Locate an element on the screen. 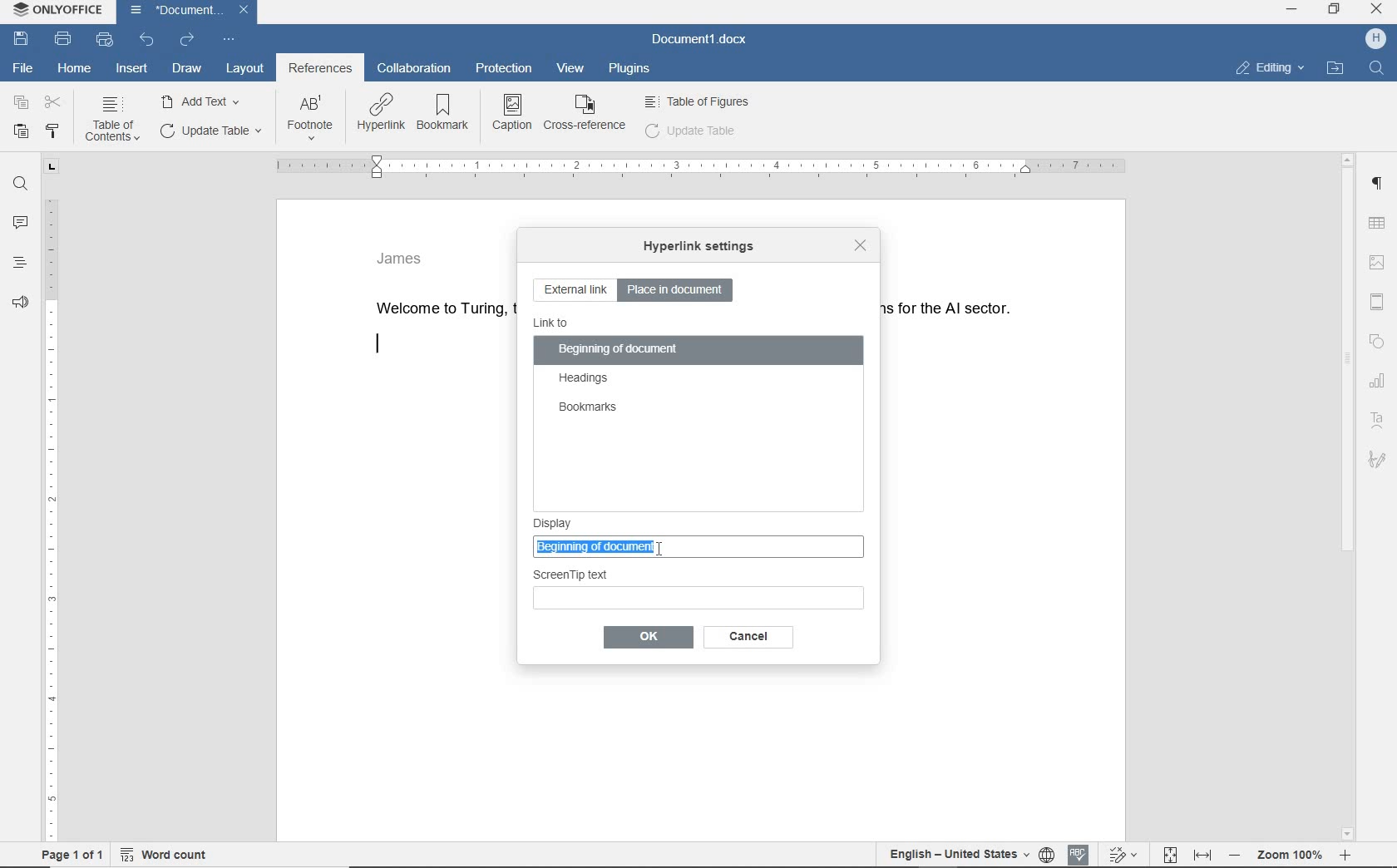 The height and width of the screenshot is (868, 1397). TABLE OF CONTENTS is located at coordinates (116, 120).